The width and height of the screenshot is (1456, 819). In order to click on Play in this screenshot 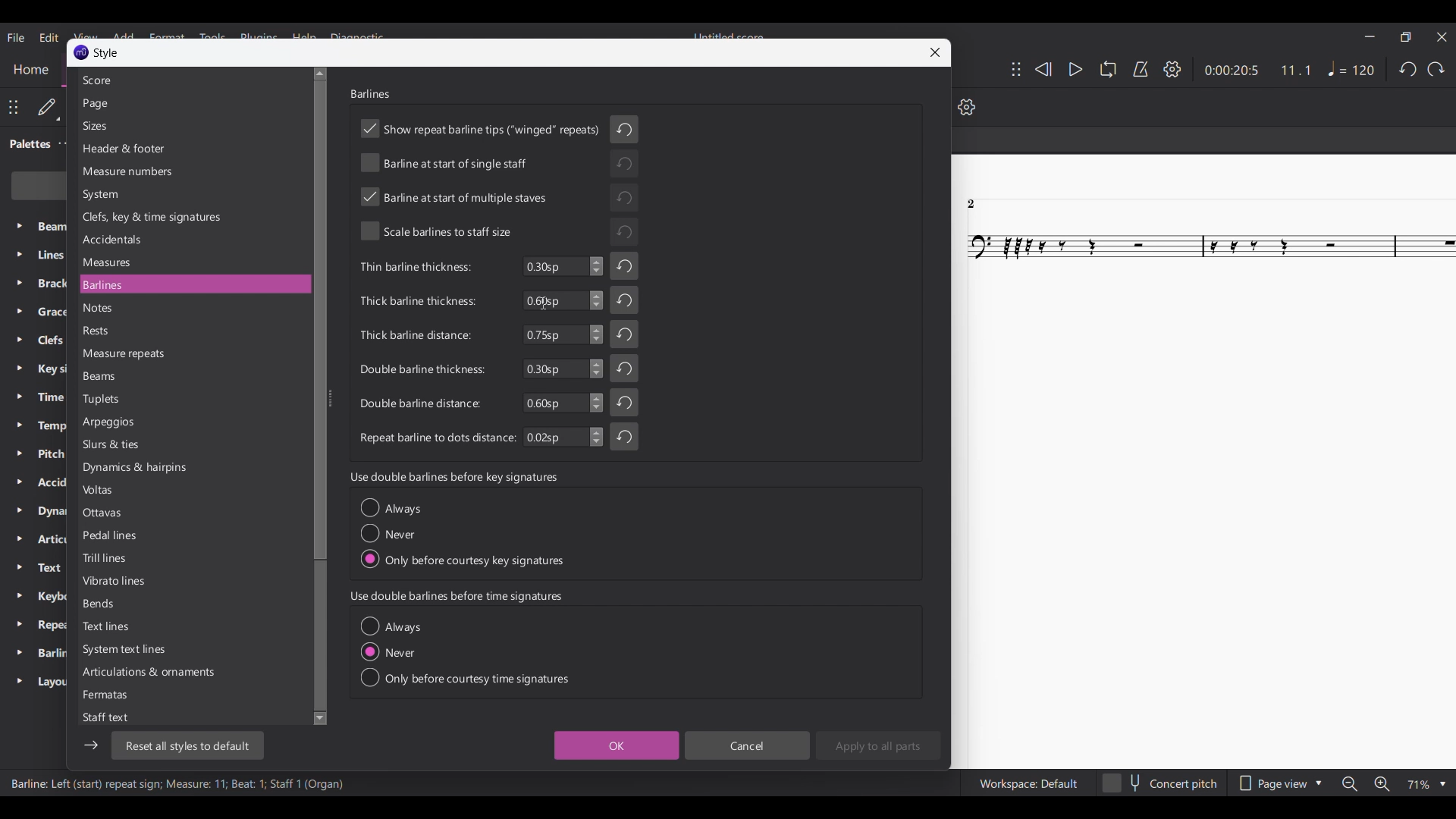, I will do `click(1076, 70)`.